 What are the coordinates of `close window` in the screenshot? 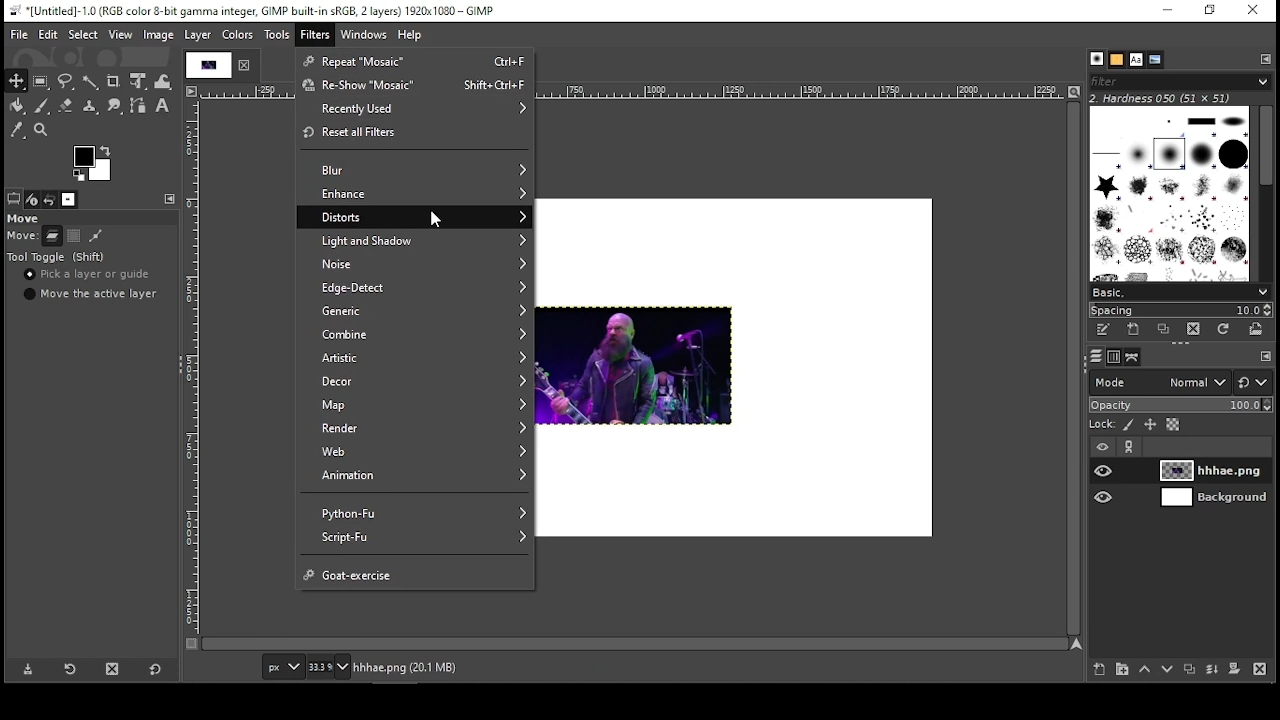 It's located at (1254, 10).